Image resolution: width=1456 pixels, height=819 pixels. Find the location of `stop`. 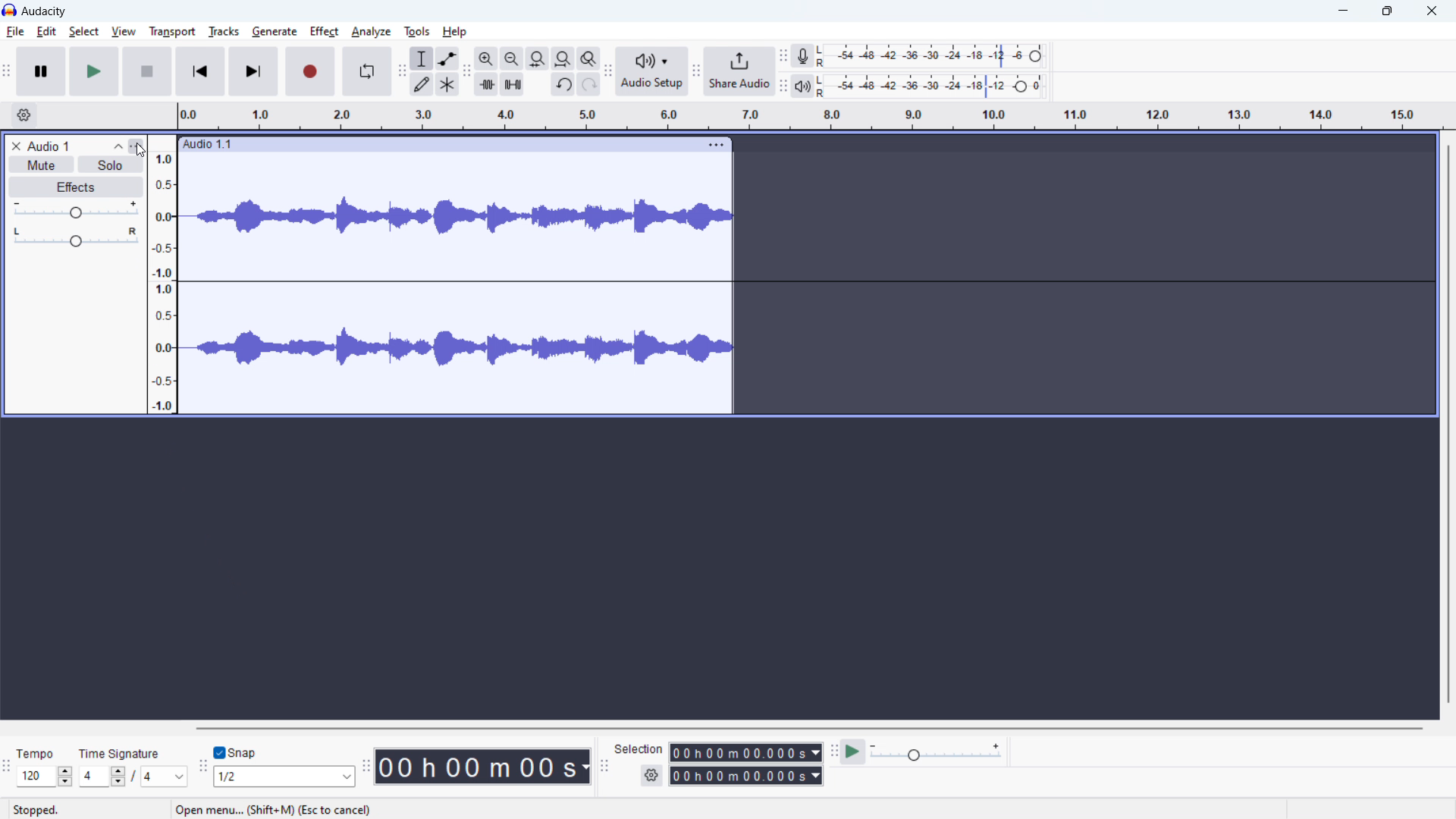

stop is located at coordinates (147, 71).